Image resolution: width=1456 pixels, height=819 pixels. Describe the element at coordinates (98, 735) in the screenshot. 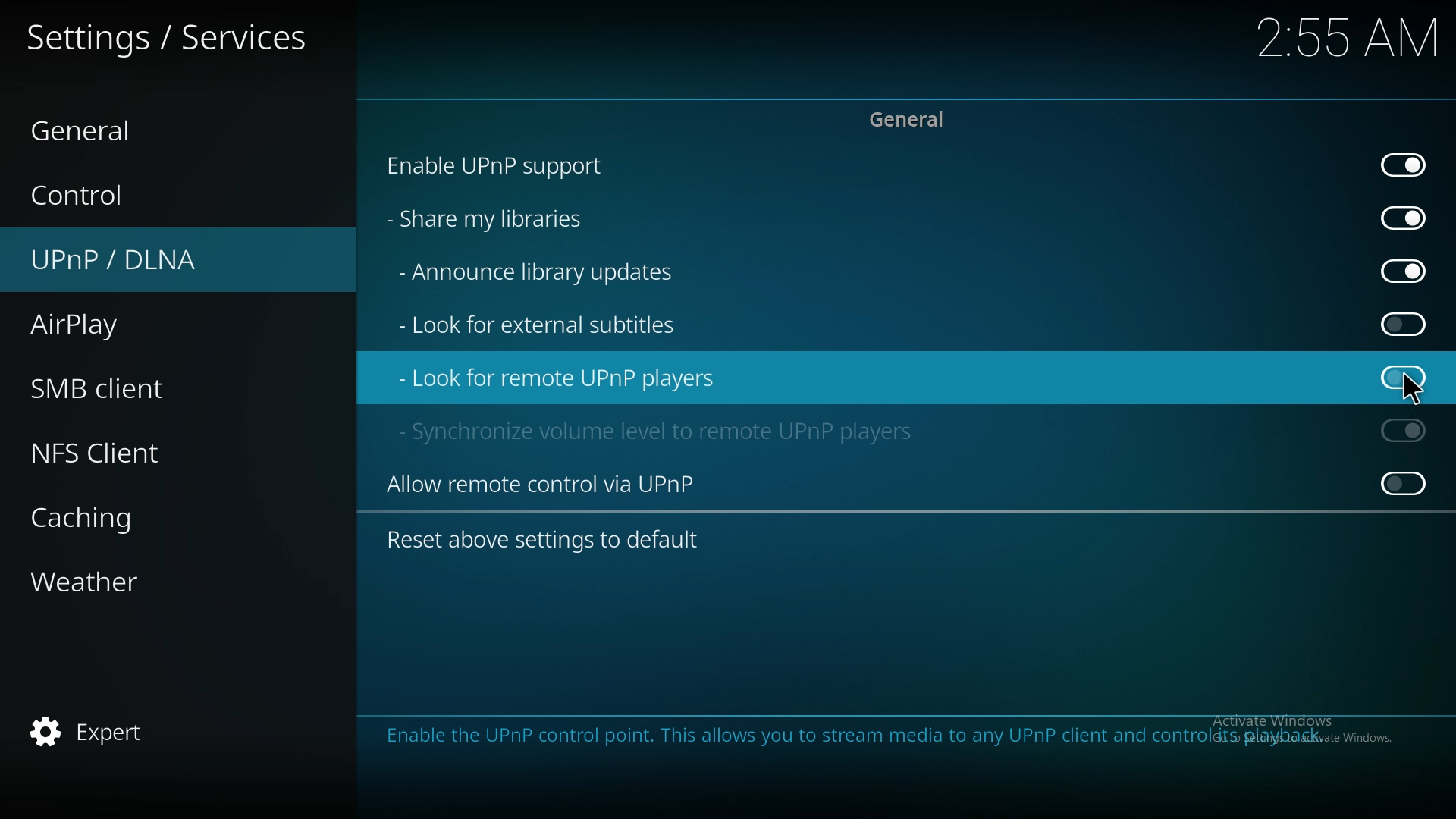

I see `expert` at that location.